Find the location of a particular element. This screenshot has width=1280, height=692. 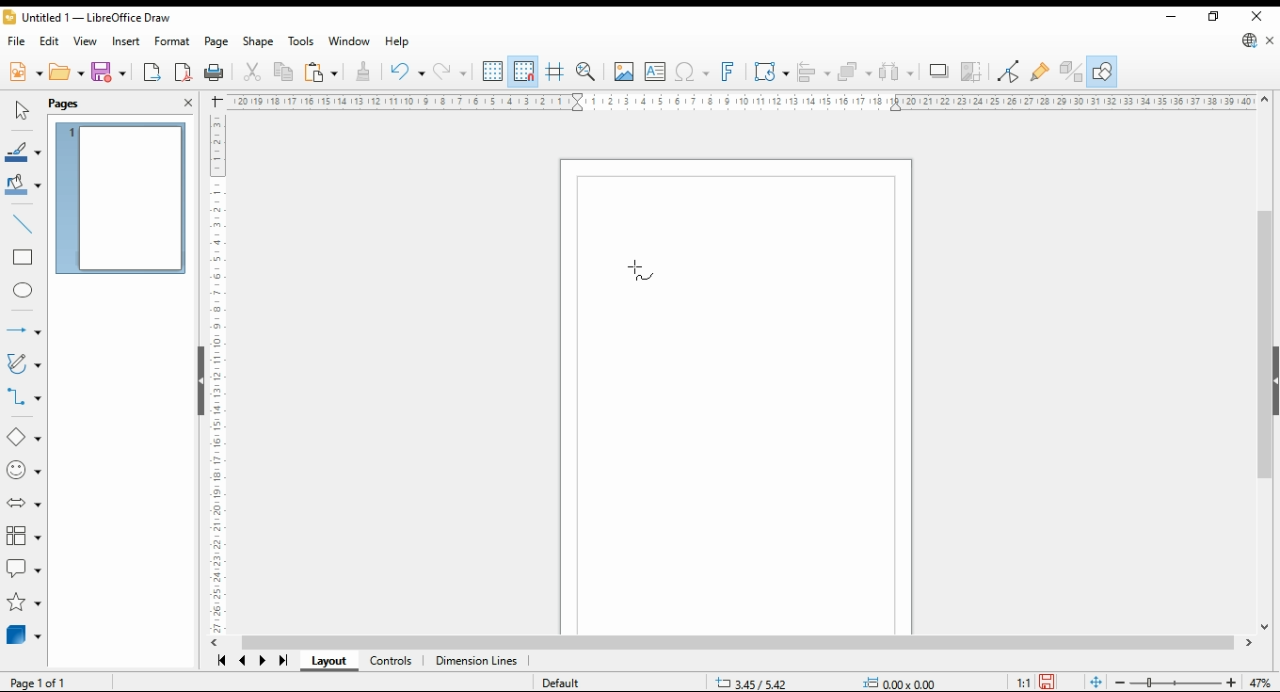

snap to grids is located at coordinates (524, 71).